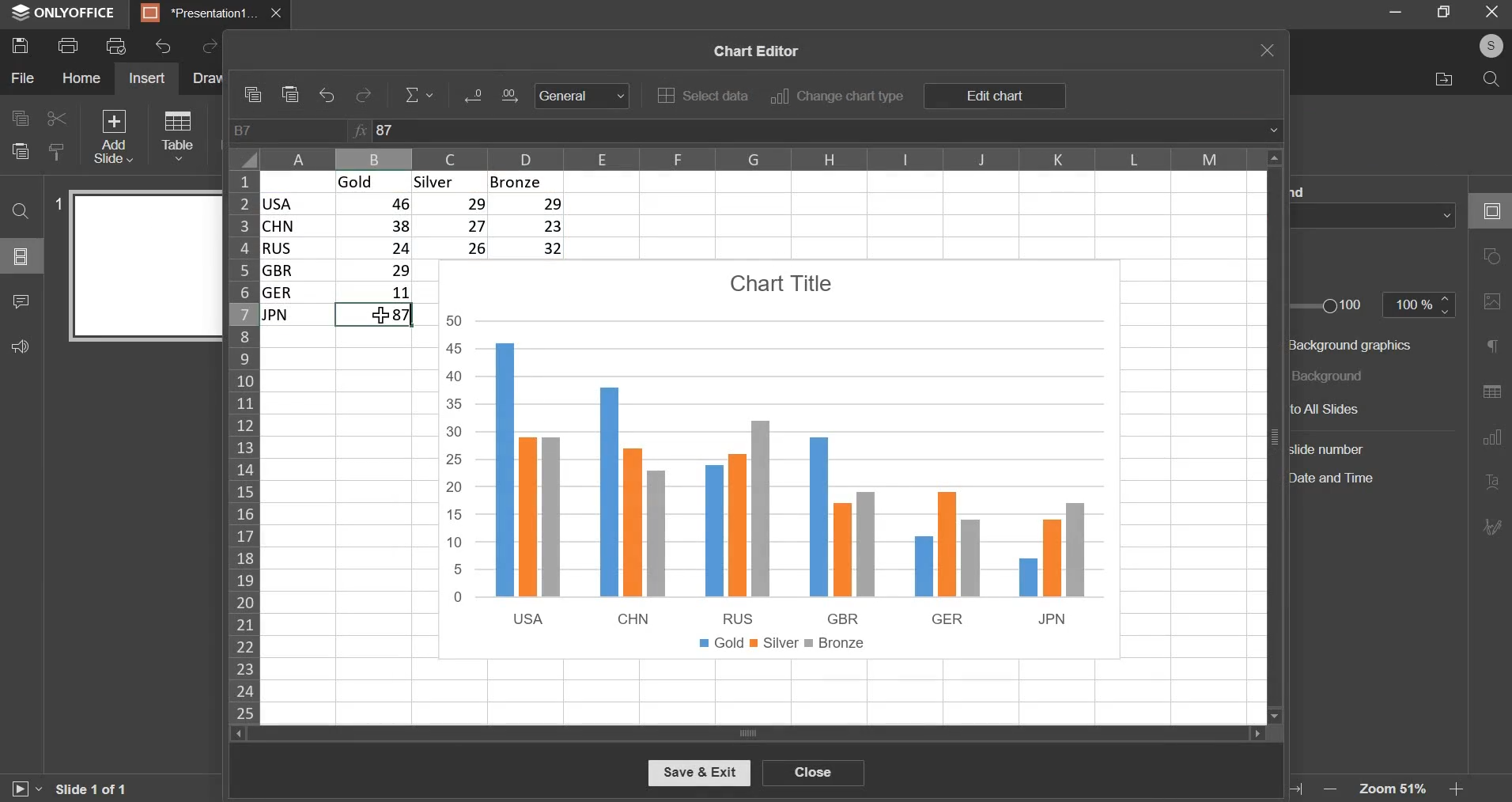 This screenshot has height=802, width=1512. Describe the element at coordinates (365, 95) in the screenshot. I see `redo` at that location.